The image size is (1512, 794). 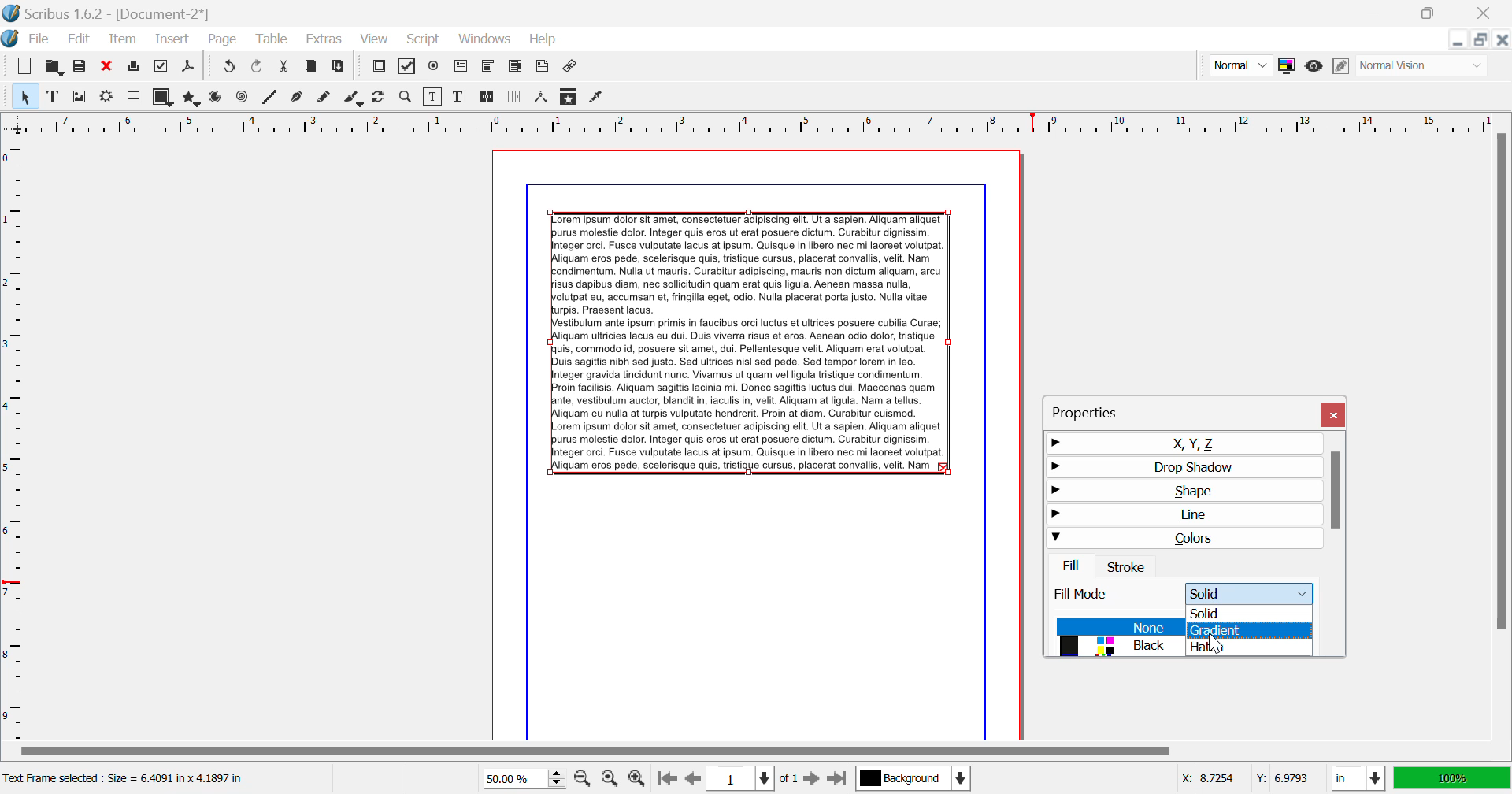 What do you see at coordinates (1359, 780) in the screenshot?
I see `Measurement Units` at bounding box center [1359, 780].